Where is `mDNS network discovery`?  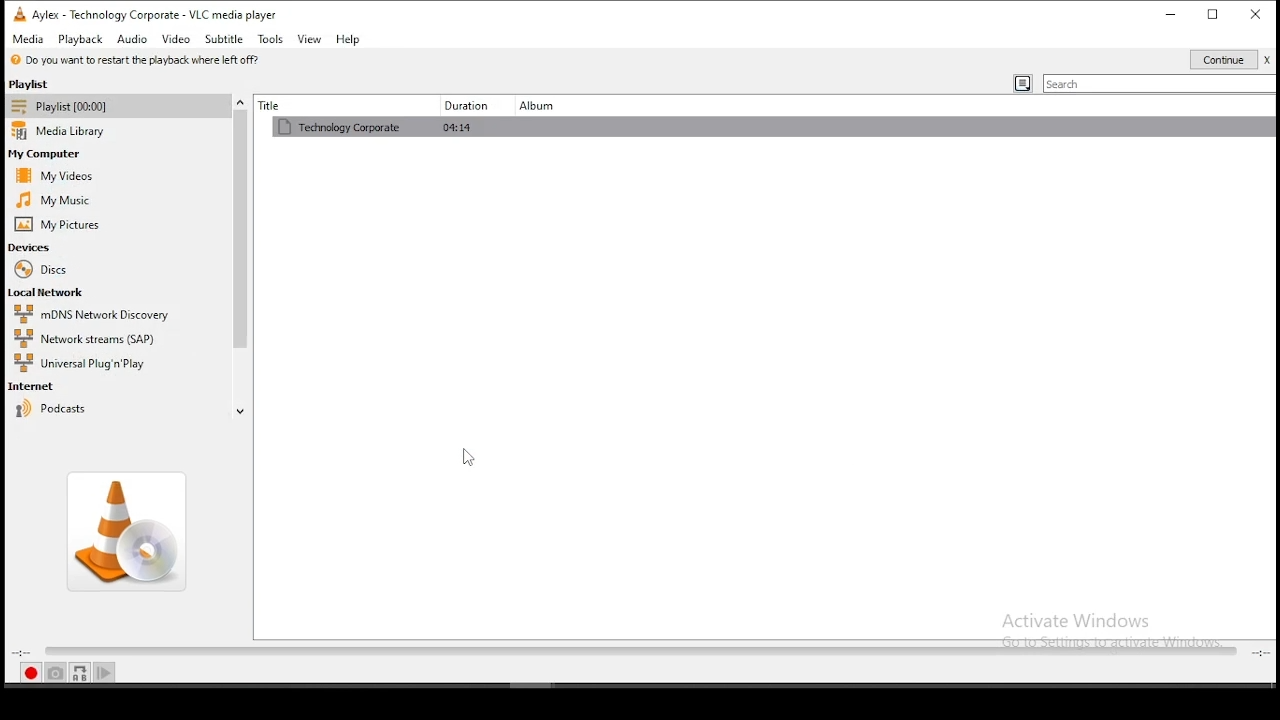
mDNS network discovery is located at coordinates (90, 315).